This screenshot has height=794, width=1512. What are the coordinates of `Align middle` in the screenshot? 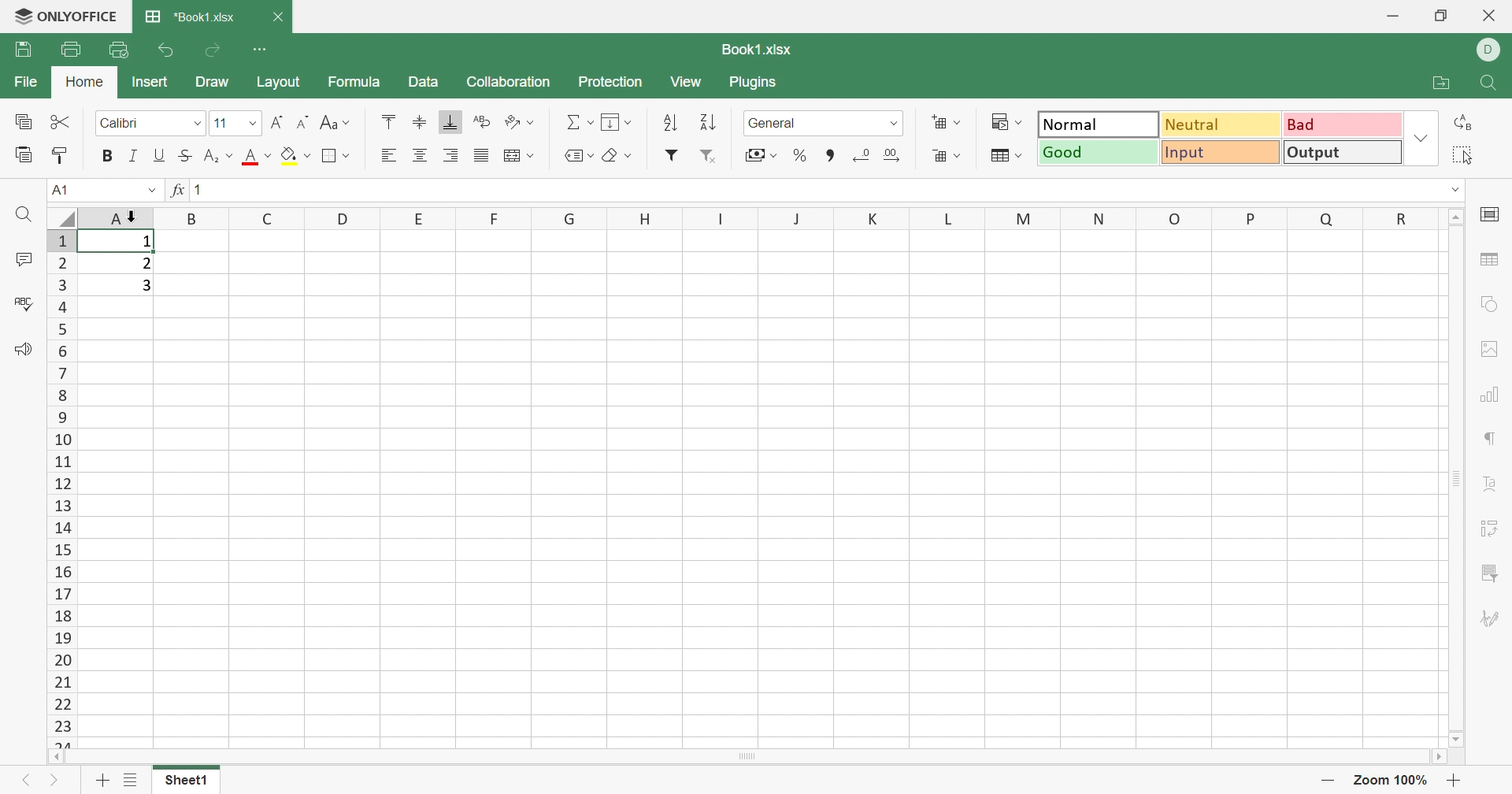 It's located at (419, 121).